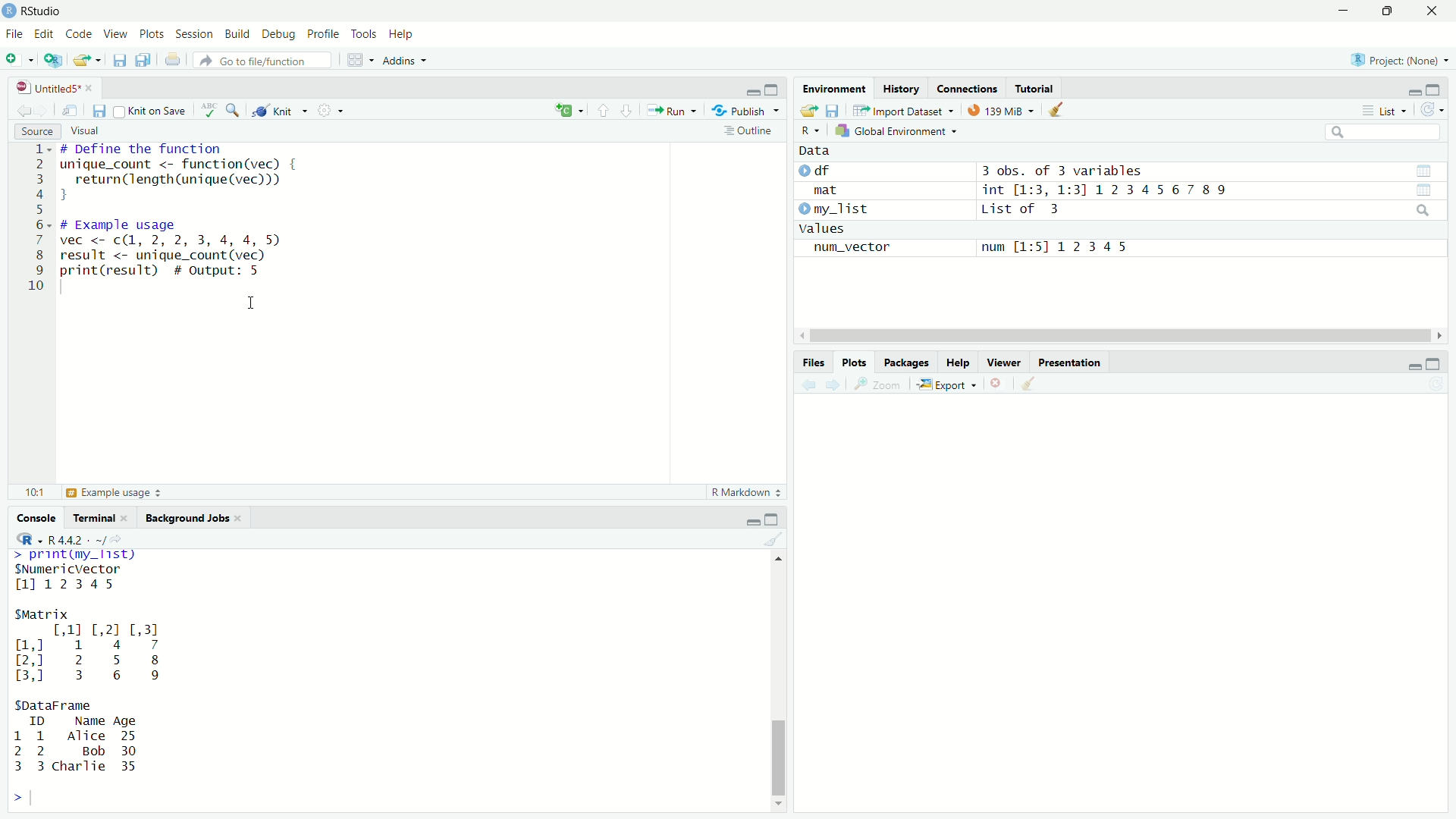 This screenshot has height=819, width=1456. I want to click on Session, so click(195, 33).